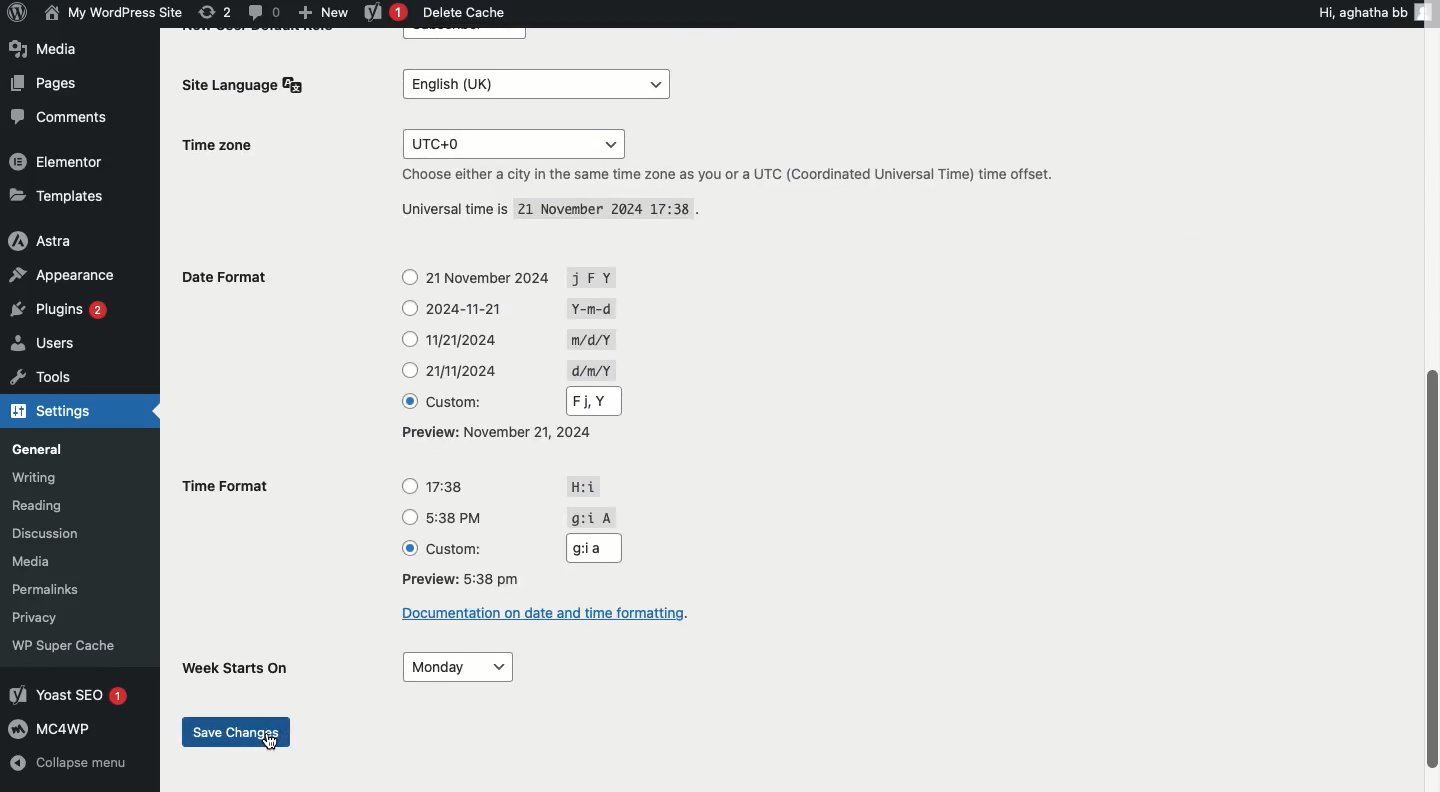 This screenshot has width=1440, height=792. I want to click on Time zone, so click(236, 147).